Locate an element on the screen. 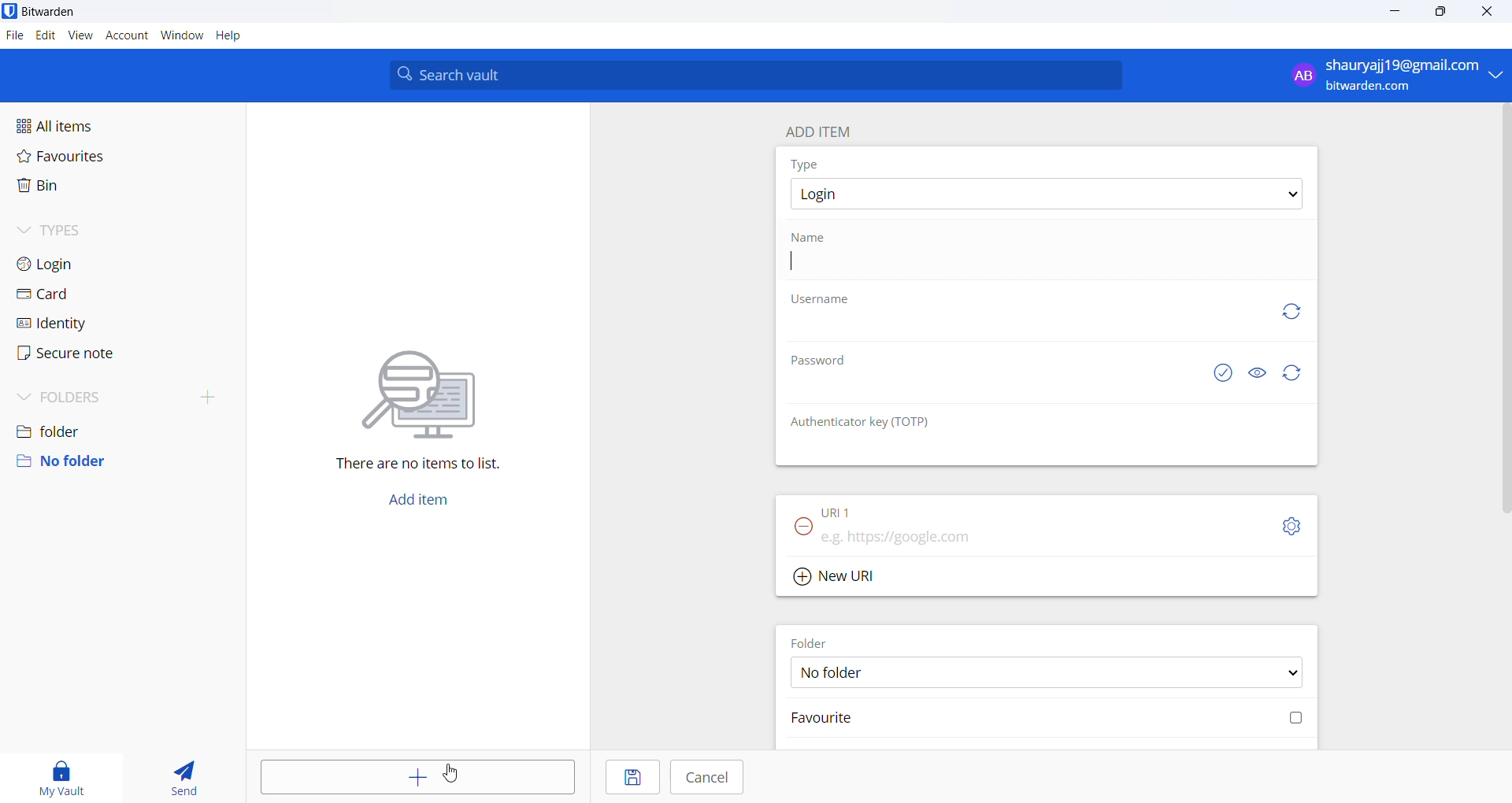  send is located at coordinates (186, 775).